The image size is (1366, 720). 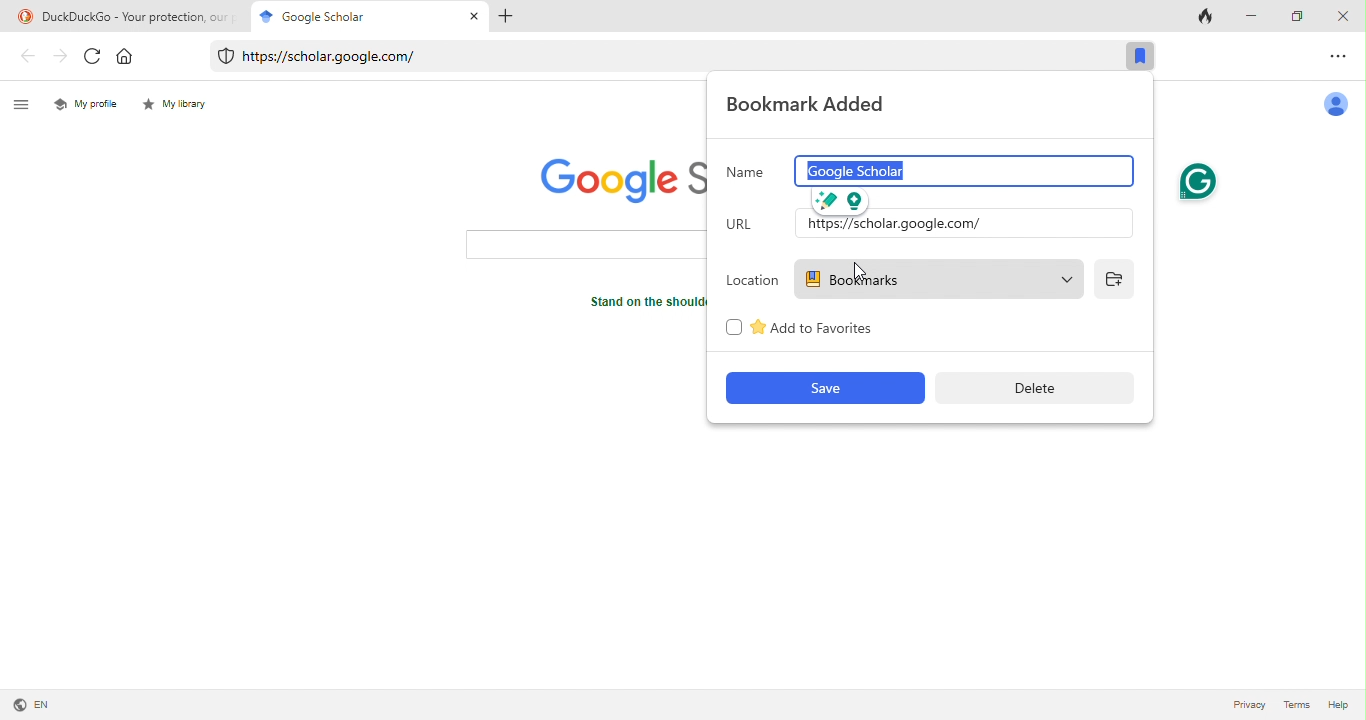 What do you see at coordinates (391, 17) in the screenshot?
I see `cursor movement` at bounding box center [391, 17].